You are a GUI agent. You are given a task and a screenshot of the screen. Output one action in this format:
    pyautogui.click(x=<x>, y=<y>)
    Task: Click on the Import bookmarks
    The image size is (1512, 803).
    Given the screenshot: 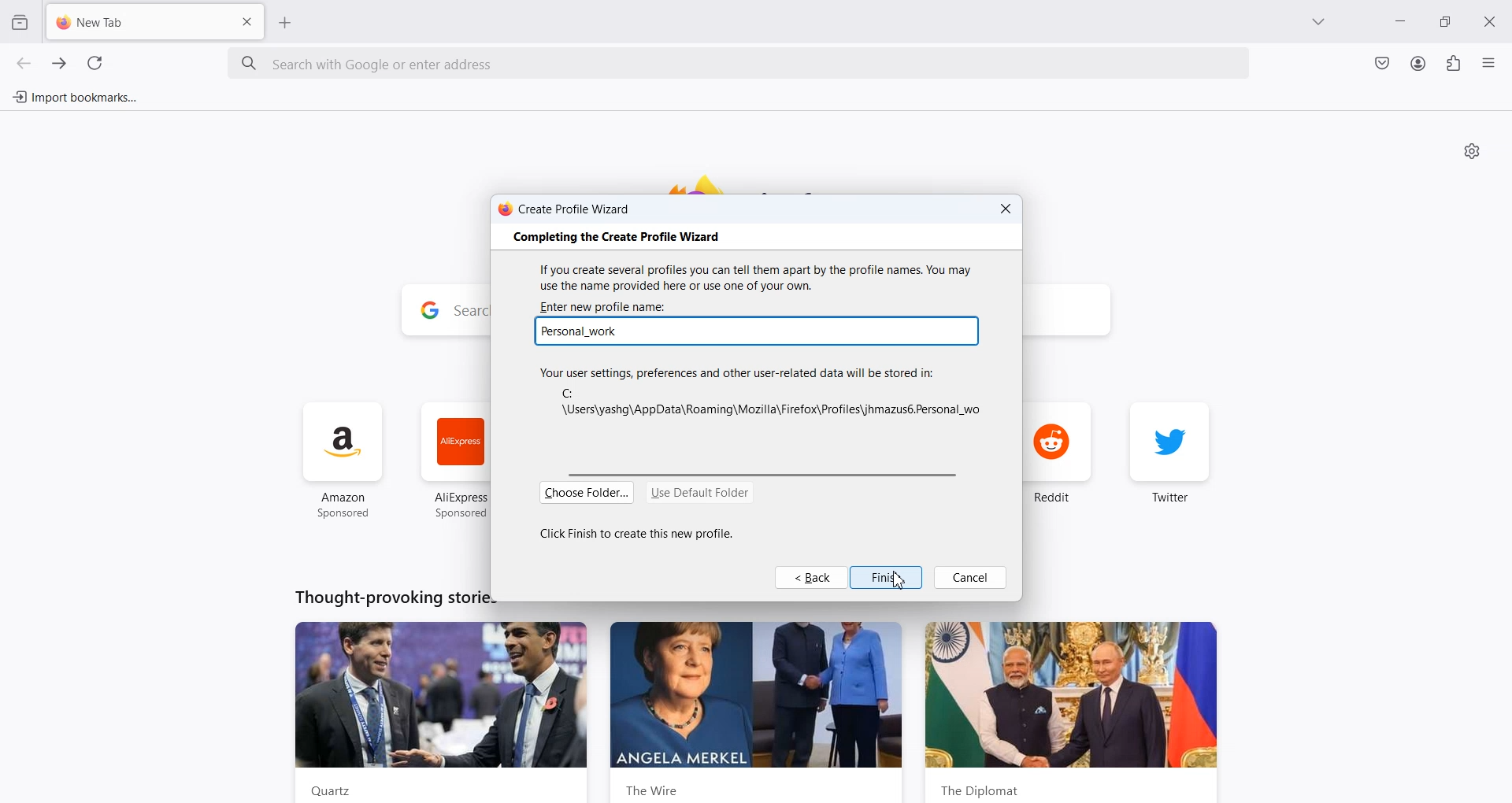 What is the action you would take?
    pyautogui.click(x=75, y=97)
    